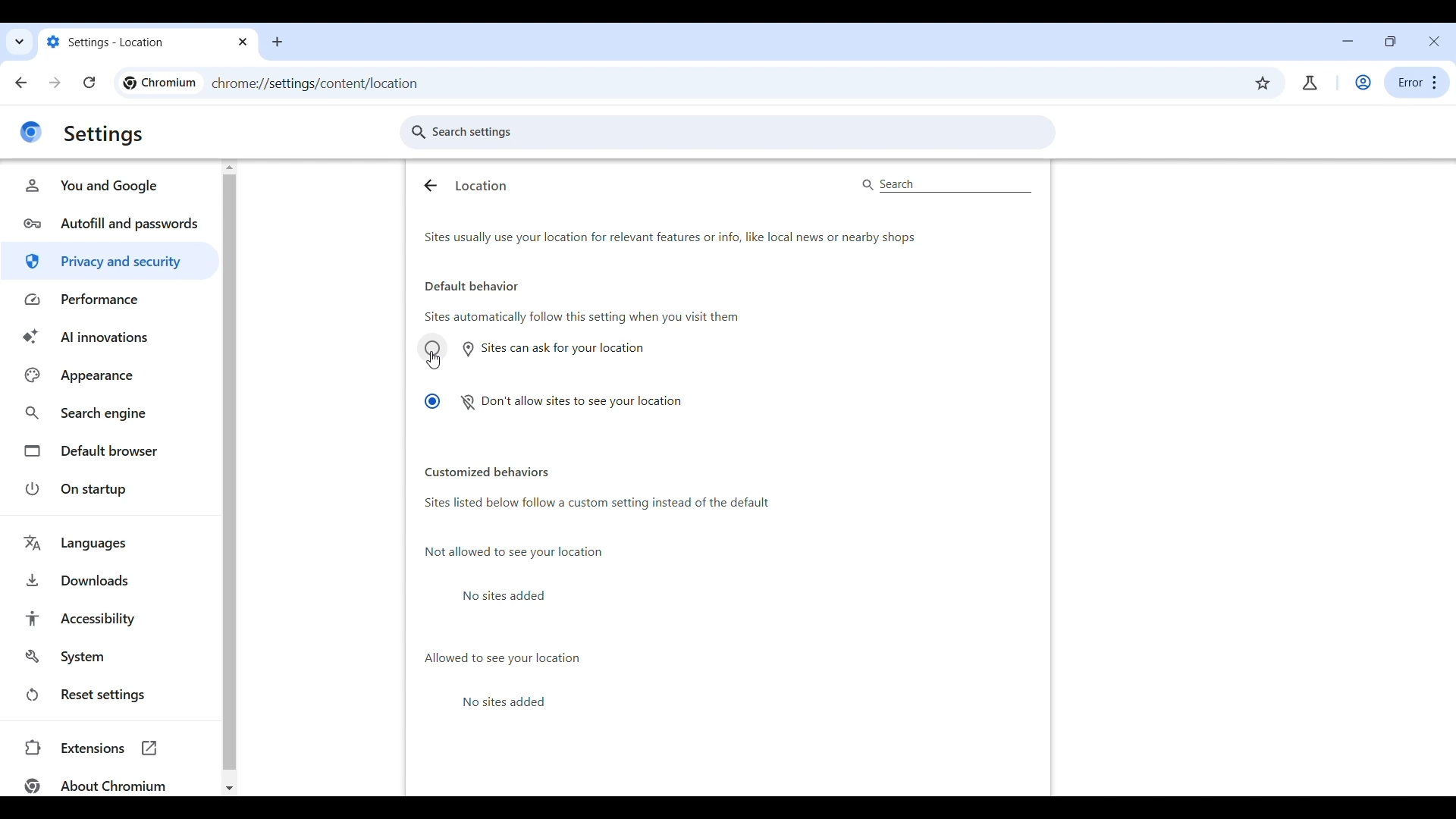  I want to click on Chrome labs, so click(1310, 83).